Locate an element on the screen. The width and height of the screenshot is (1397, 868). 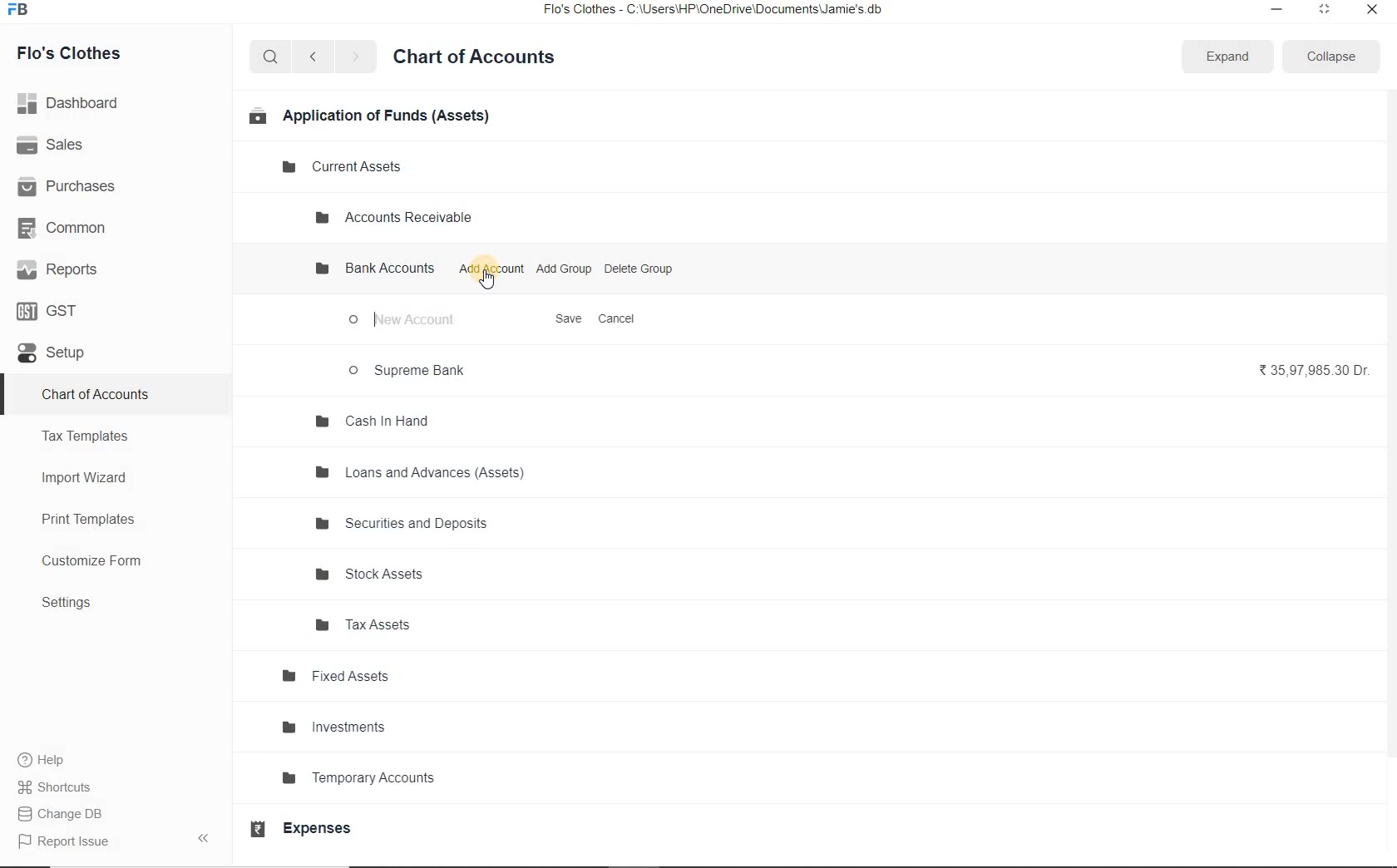
Investments is located at coordinates (369, 726).